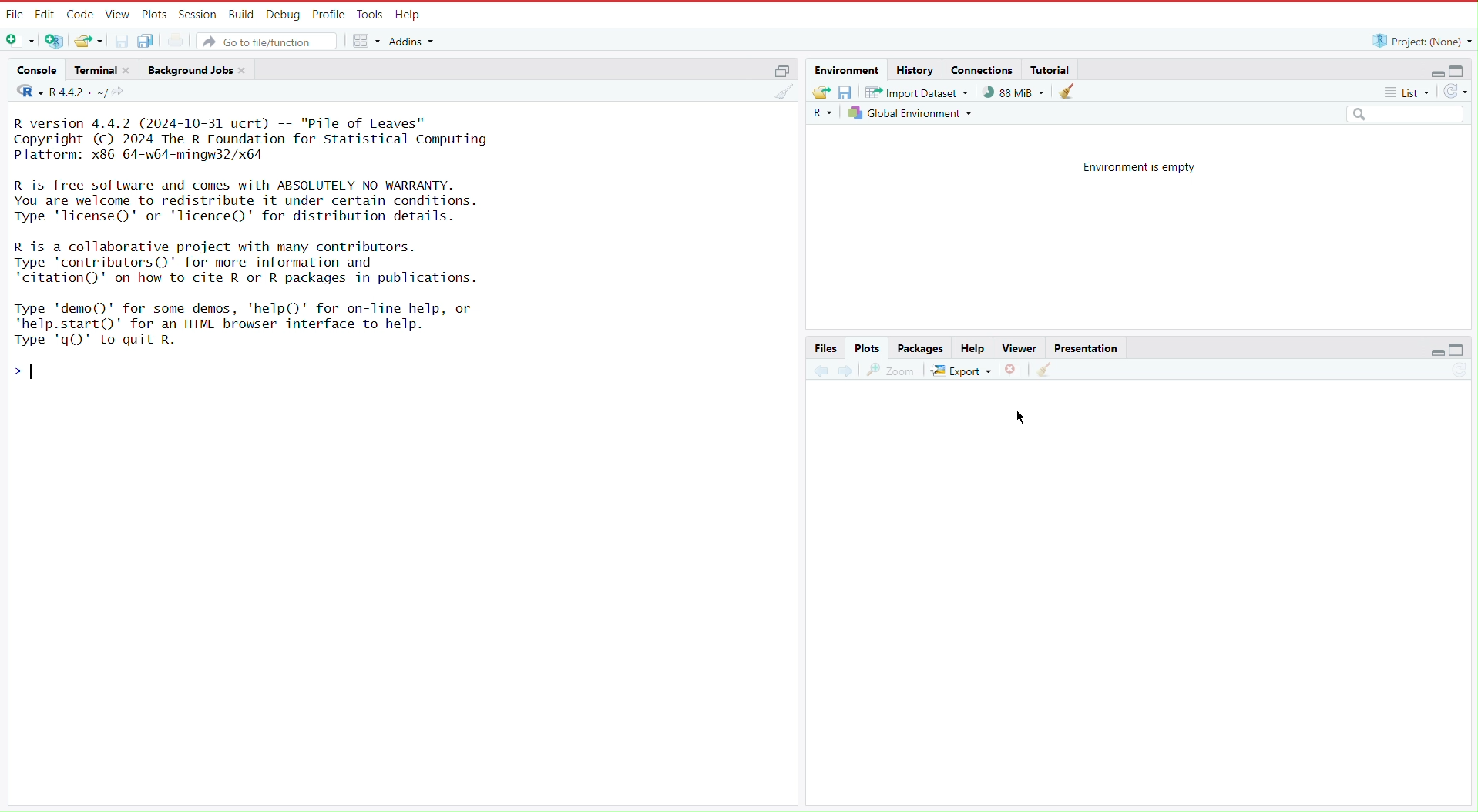  Describe the element at coordinates (325, 13) in the screenshot. I see `Profile` at that location.